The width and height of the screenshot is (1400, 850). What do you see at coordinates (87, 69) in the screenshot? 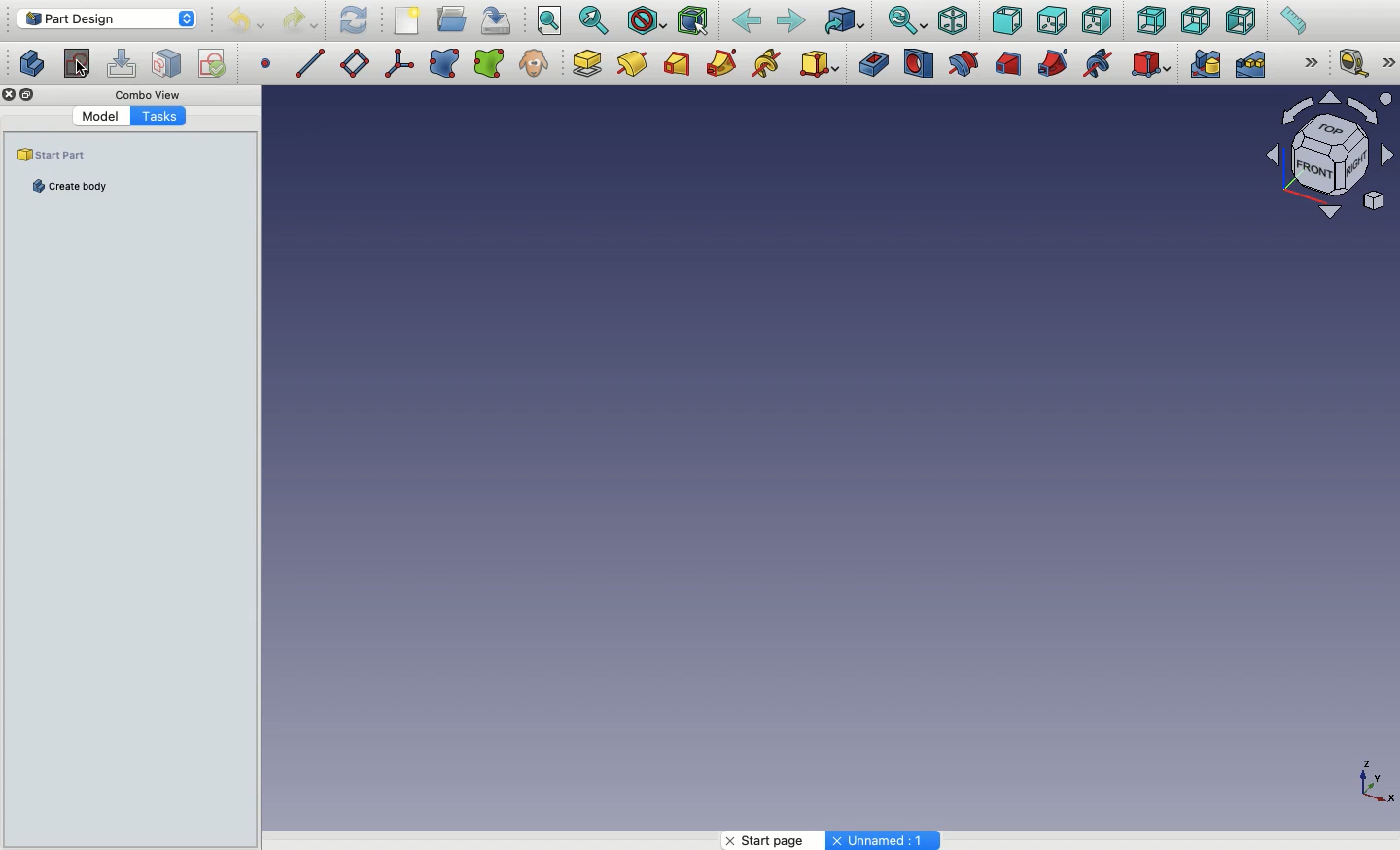
I see `Click` at bounding box center [87, 69].